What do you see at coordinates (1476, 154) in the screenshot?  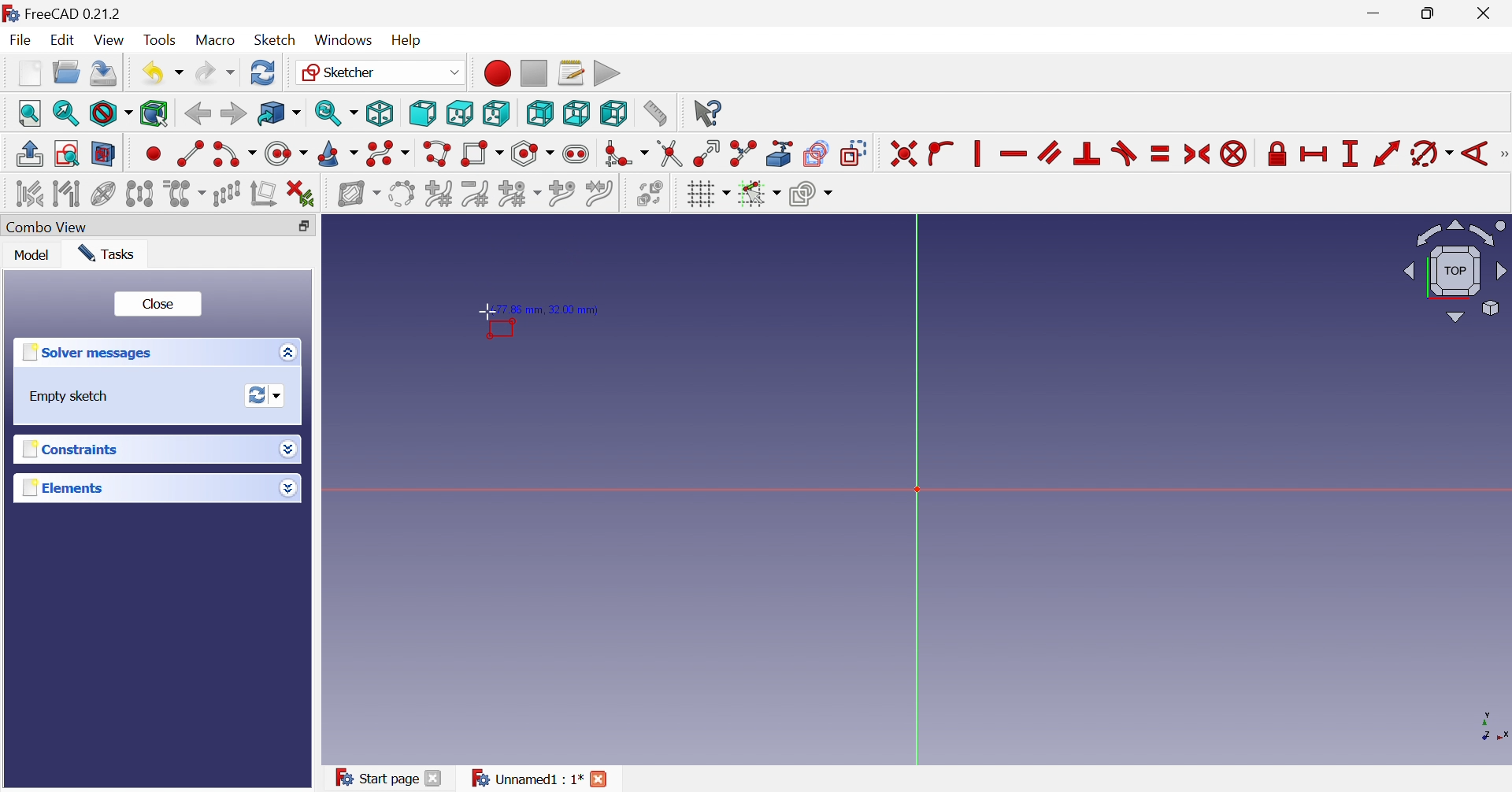 I see `Constrain angle` at bounding box center [1476, 154].